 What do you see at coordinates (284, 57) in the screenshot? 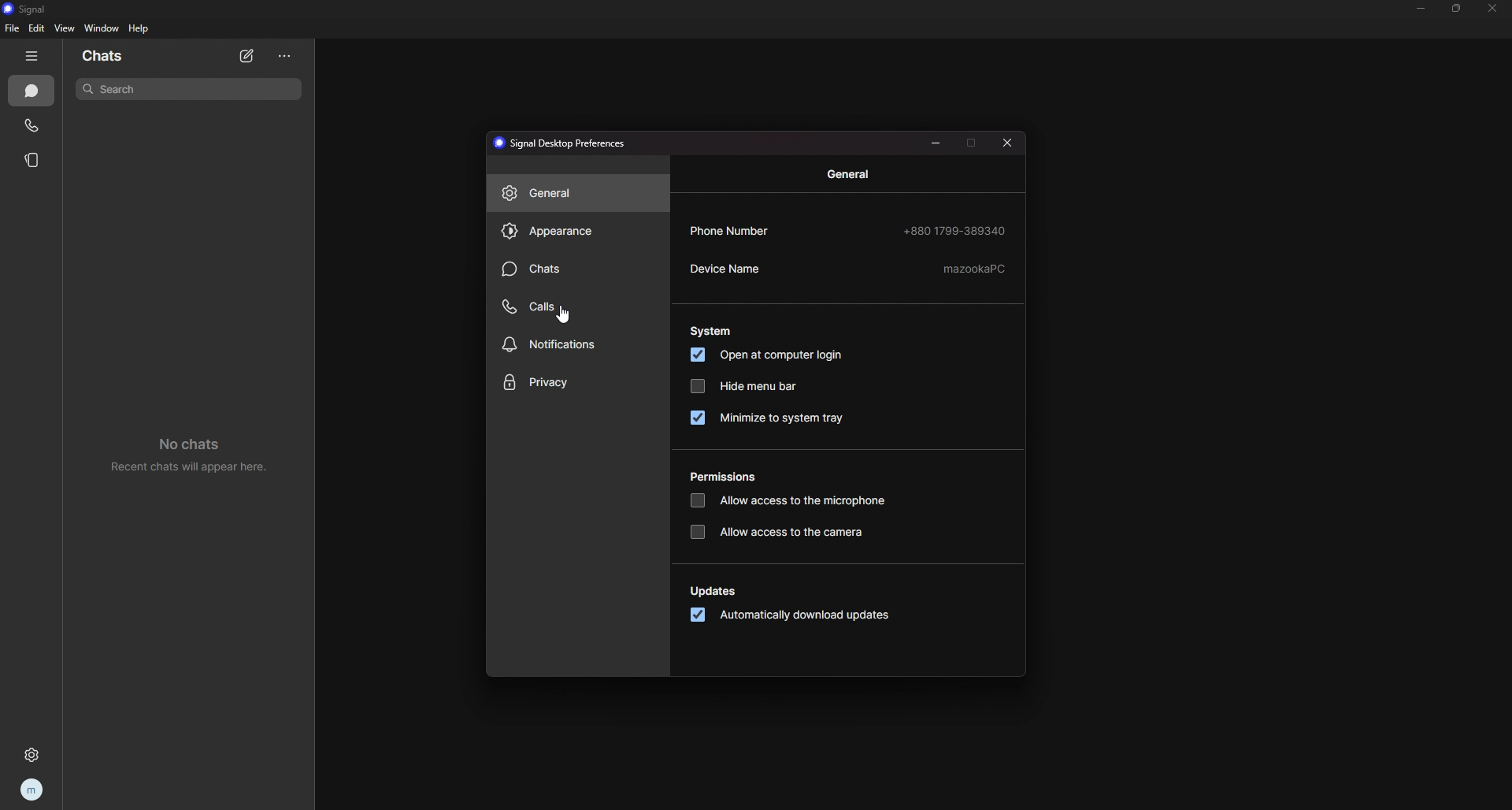
I see `options` at bounding box center [284, 57].